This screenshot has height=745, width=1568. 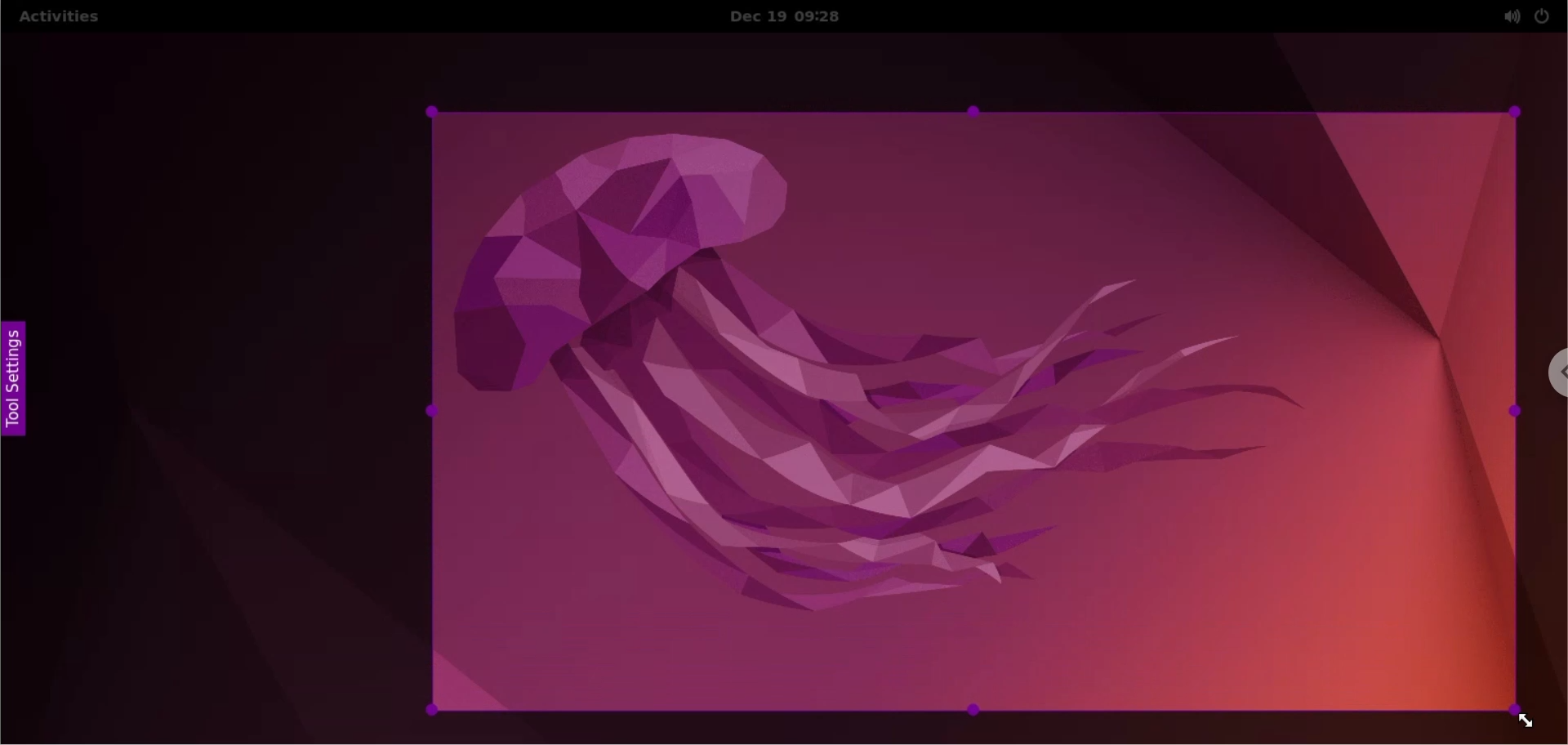 What do you see at coordinates (1525, 722) in the screenshot?
I see `cursor` at bounding box center [1525, 722].